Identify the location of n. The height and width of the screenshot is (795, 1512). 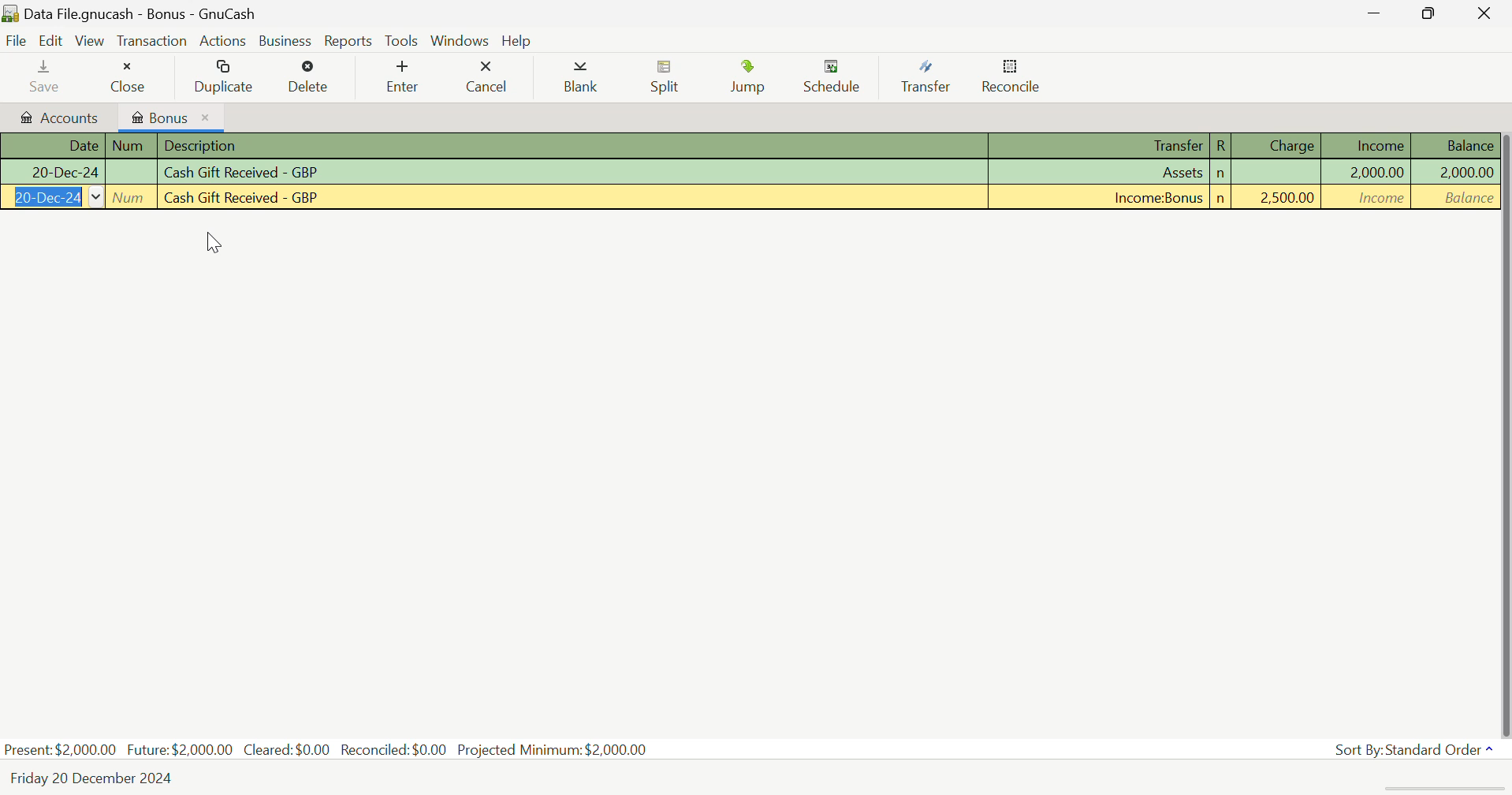
(1221, 199).